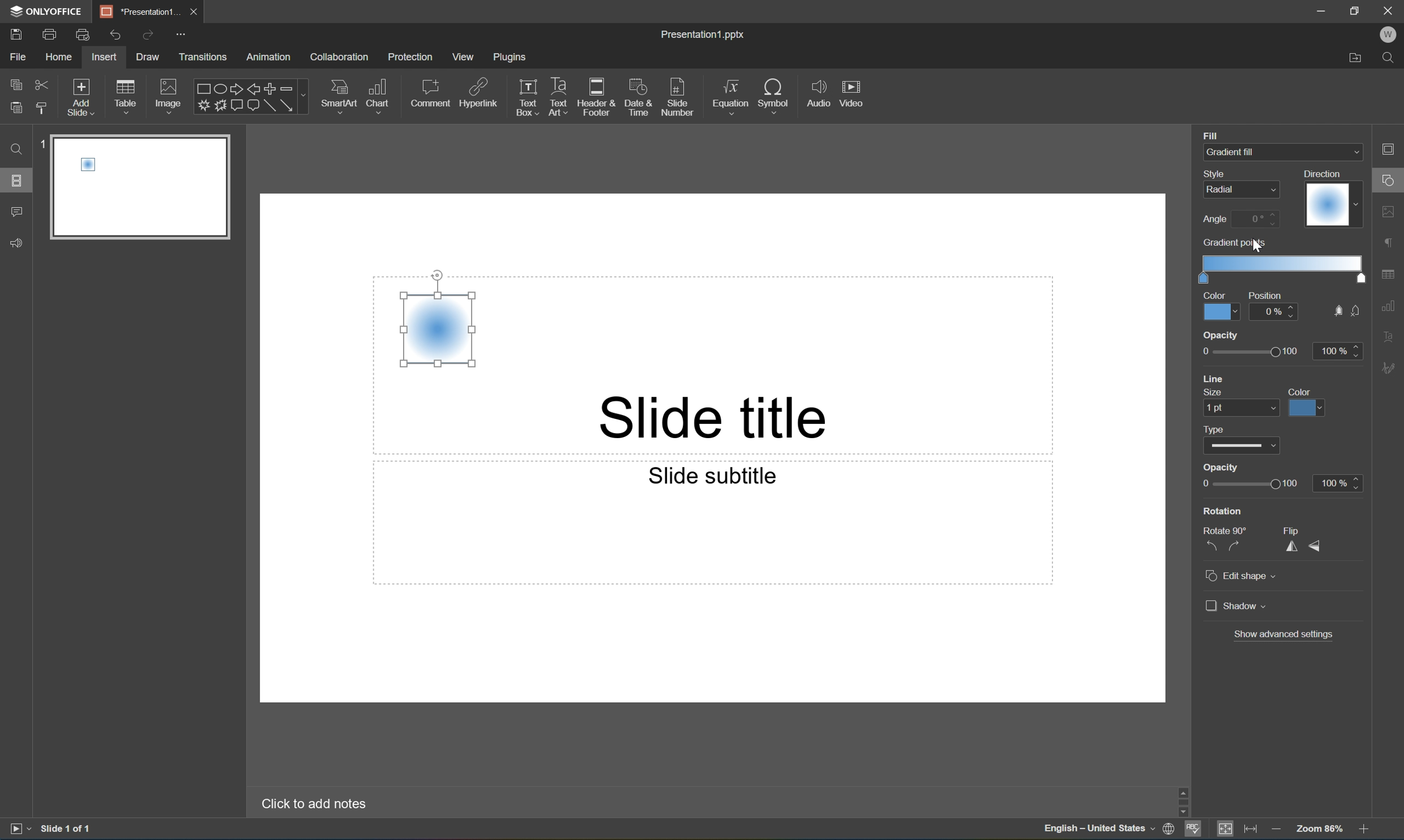 Image resolution: width=1404 pixels, height=840 pixels. I want to click on Table, so click(126, 96).